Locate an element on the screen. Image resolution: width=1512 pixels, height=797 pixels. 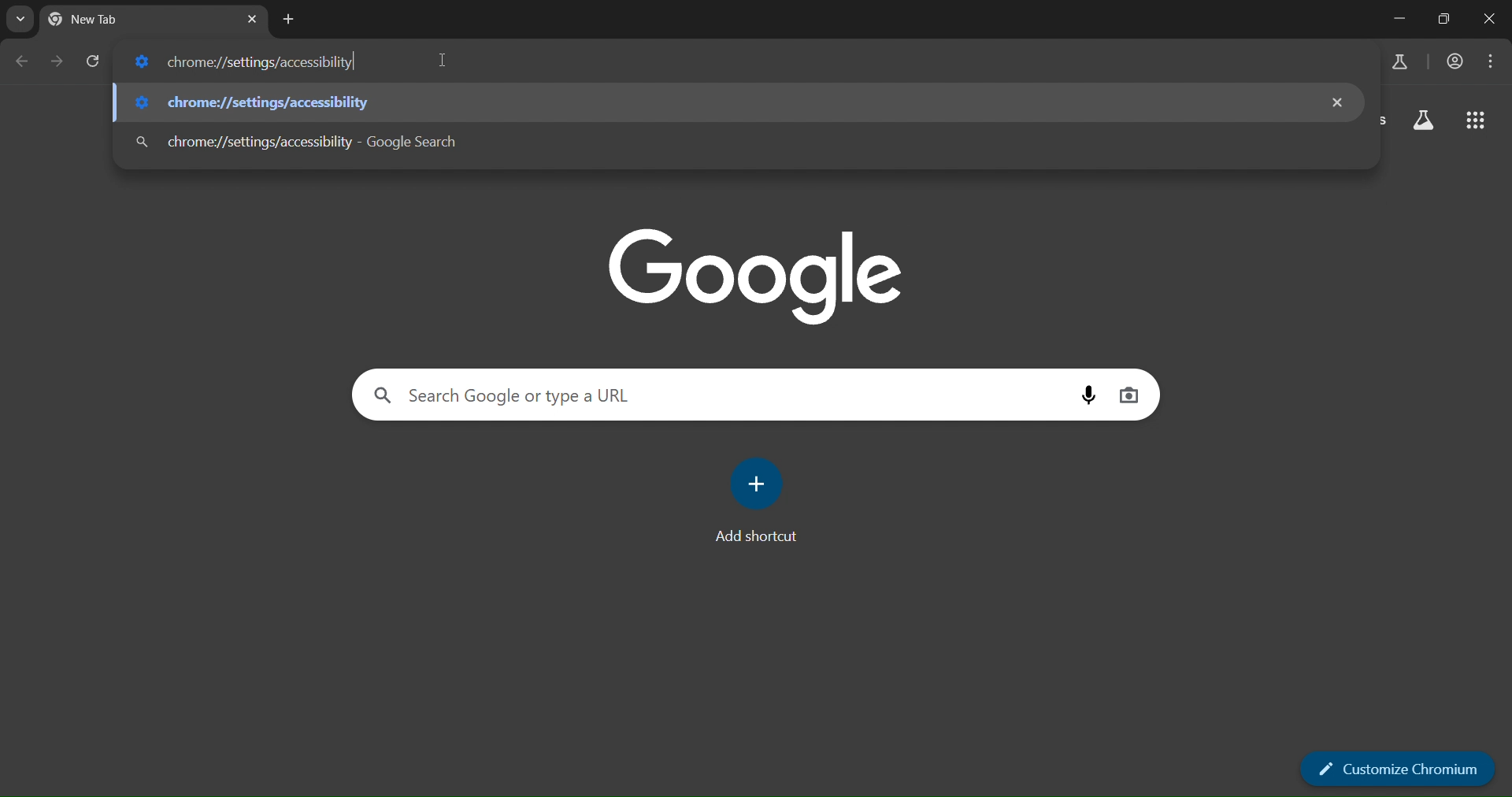
close is located at coordinates (1488, 19).